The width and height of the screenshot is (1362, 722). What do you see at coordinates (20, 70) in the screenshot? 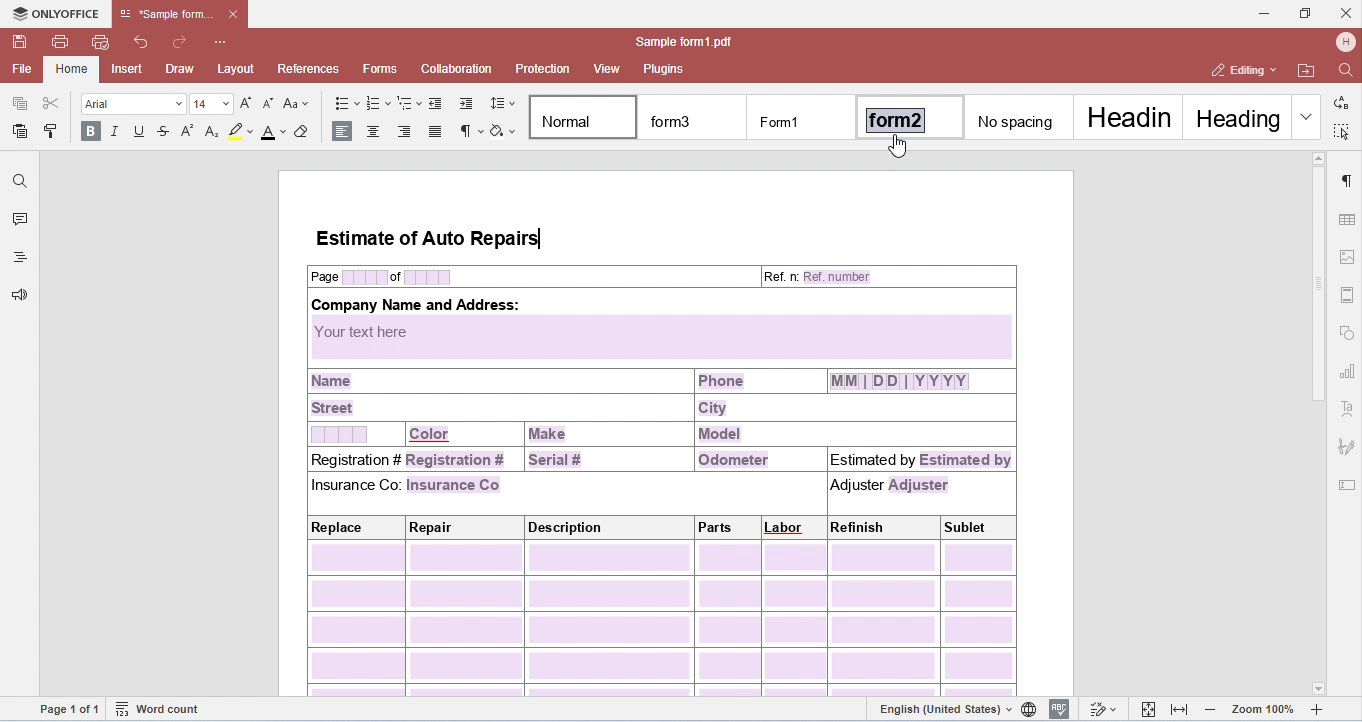
I see `file` at bounding box center [20, 70].